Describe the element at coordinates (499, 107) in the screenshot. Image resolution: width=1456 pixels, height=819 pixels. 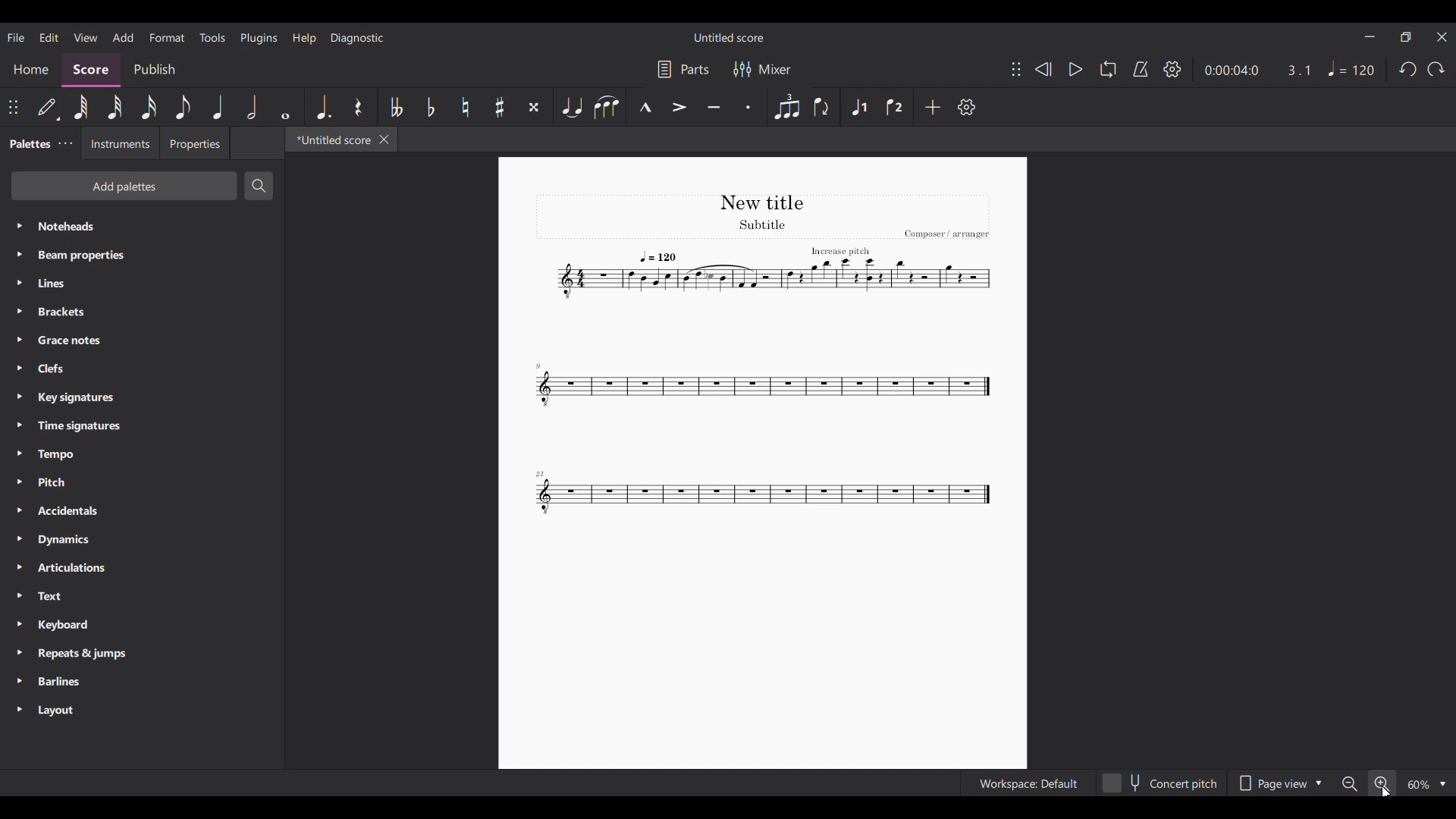
I see `Toggle sharp` at that location.